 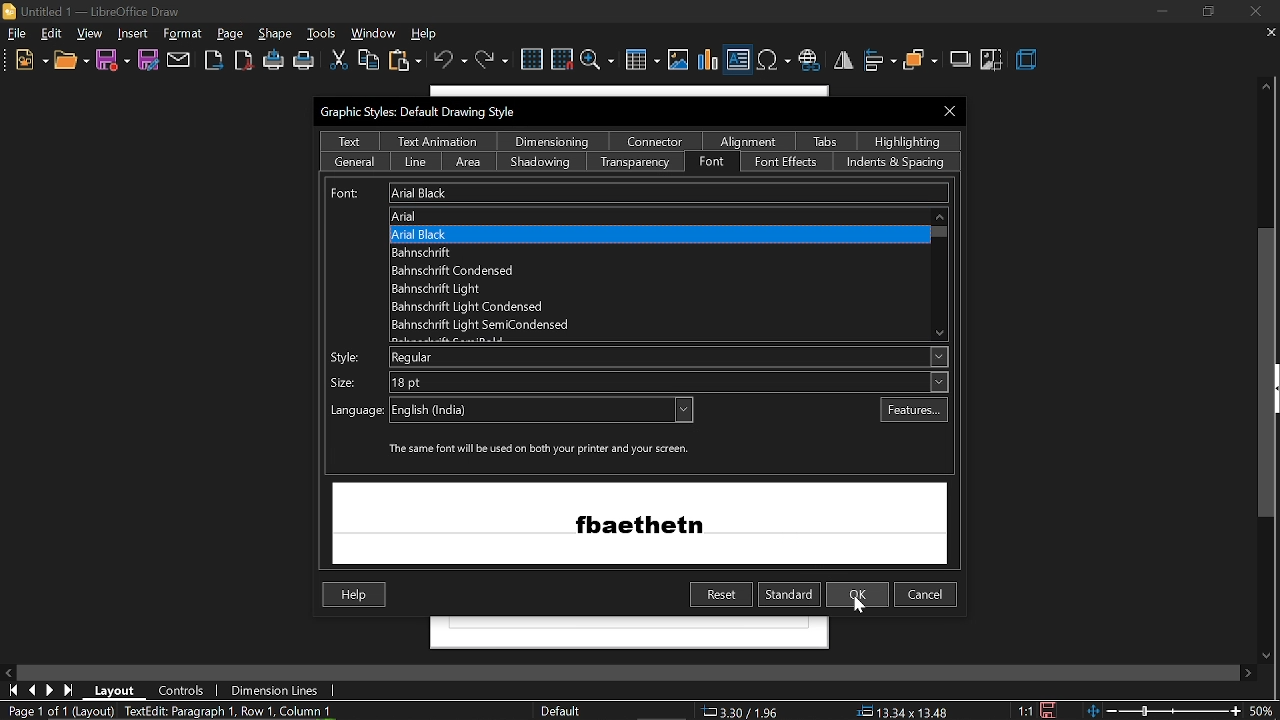 I want to click on font, so click(x=712, y=163).